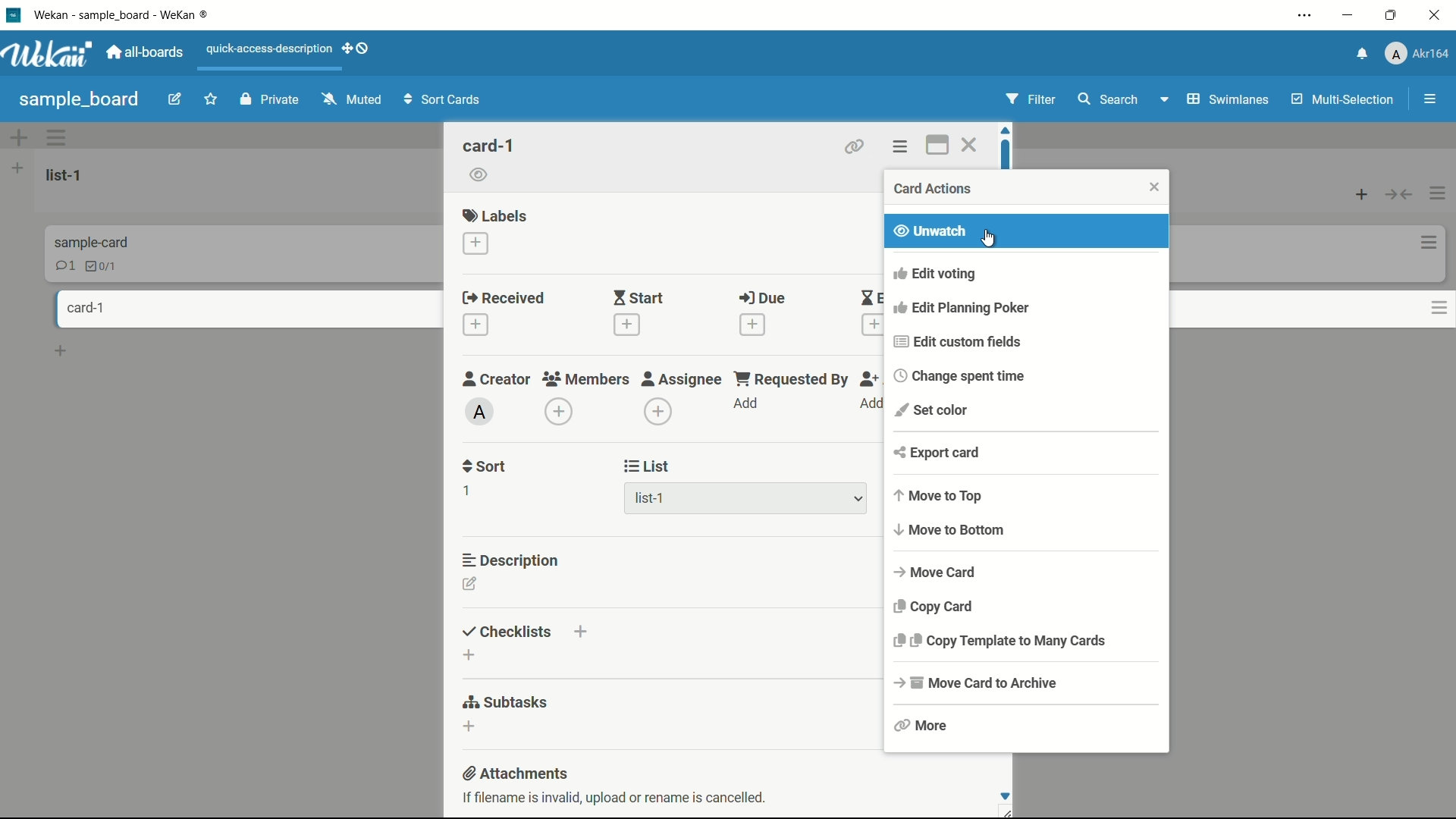 The image size is (1456, 819). I want to click on attachments, so click(516, 773).